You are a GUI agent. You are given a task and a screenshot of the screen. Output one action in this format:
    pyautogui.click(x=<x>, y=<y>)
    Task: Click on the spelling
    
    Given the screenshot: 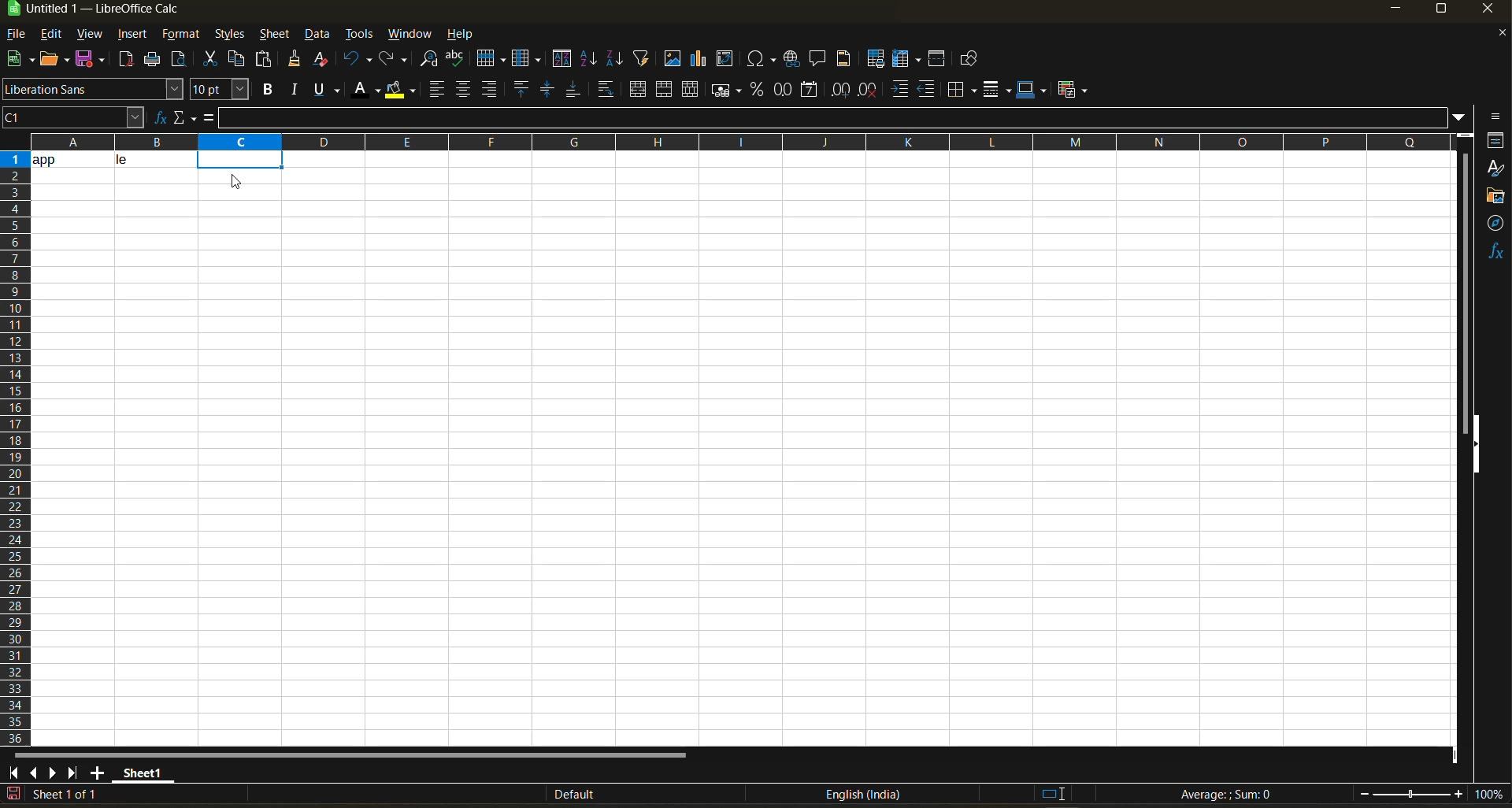 What is the action you would take?
    pyautogui.click(x=454, y=60)
    